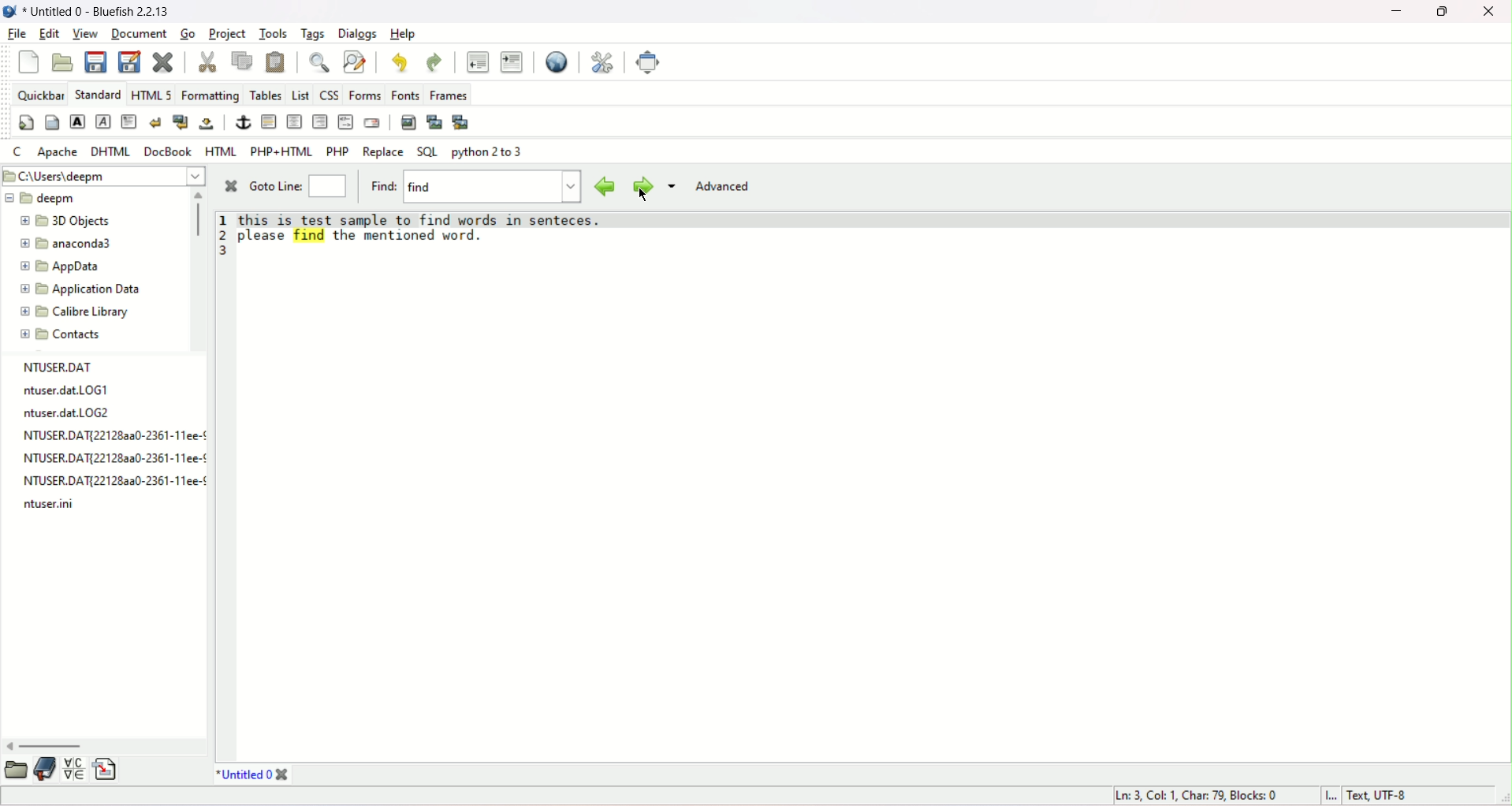  I want to click on close current file, so click(163, 61).